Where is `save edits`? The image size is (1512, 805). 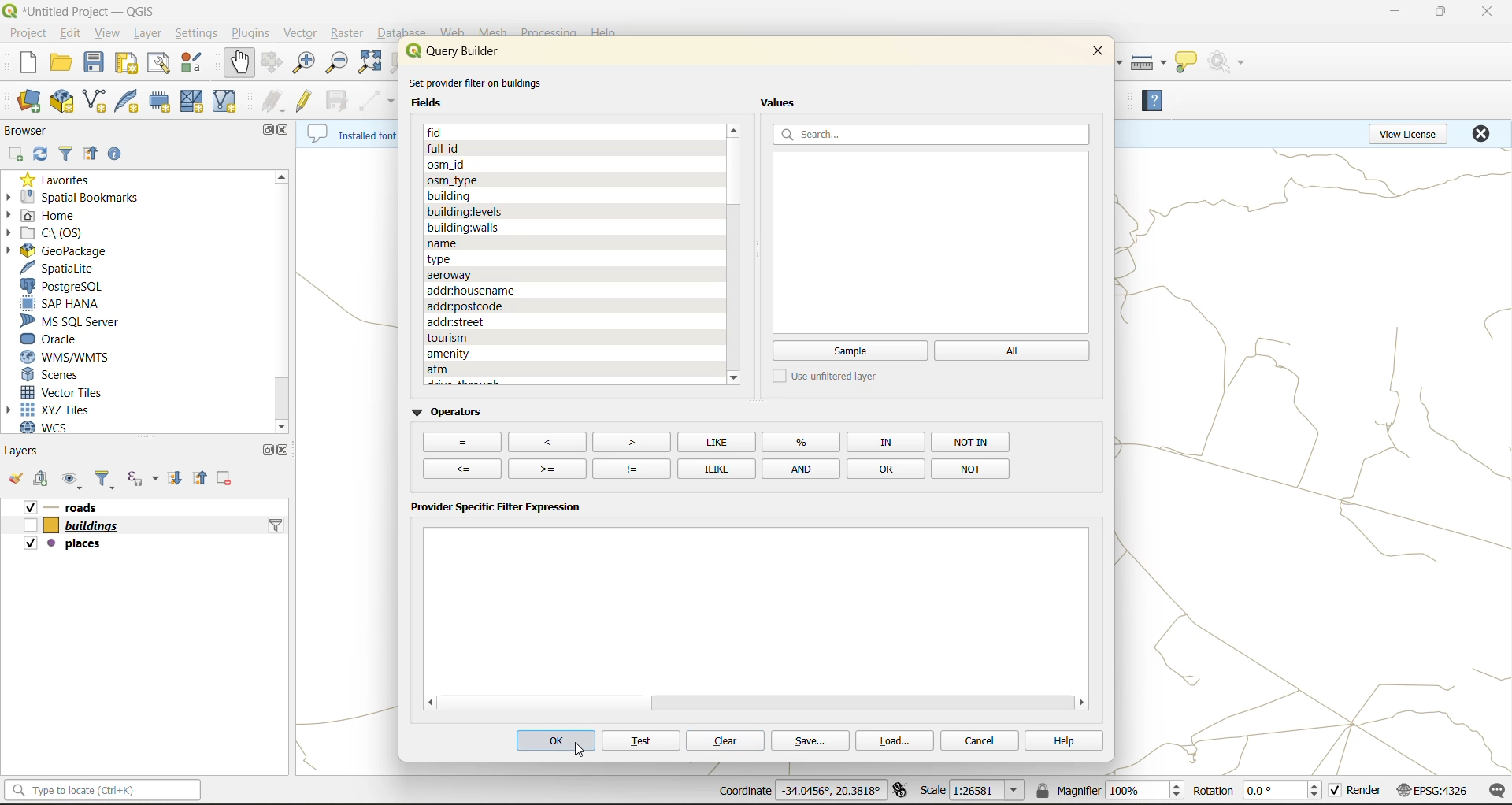 save edits is located at coordinates (338, 102).